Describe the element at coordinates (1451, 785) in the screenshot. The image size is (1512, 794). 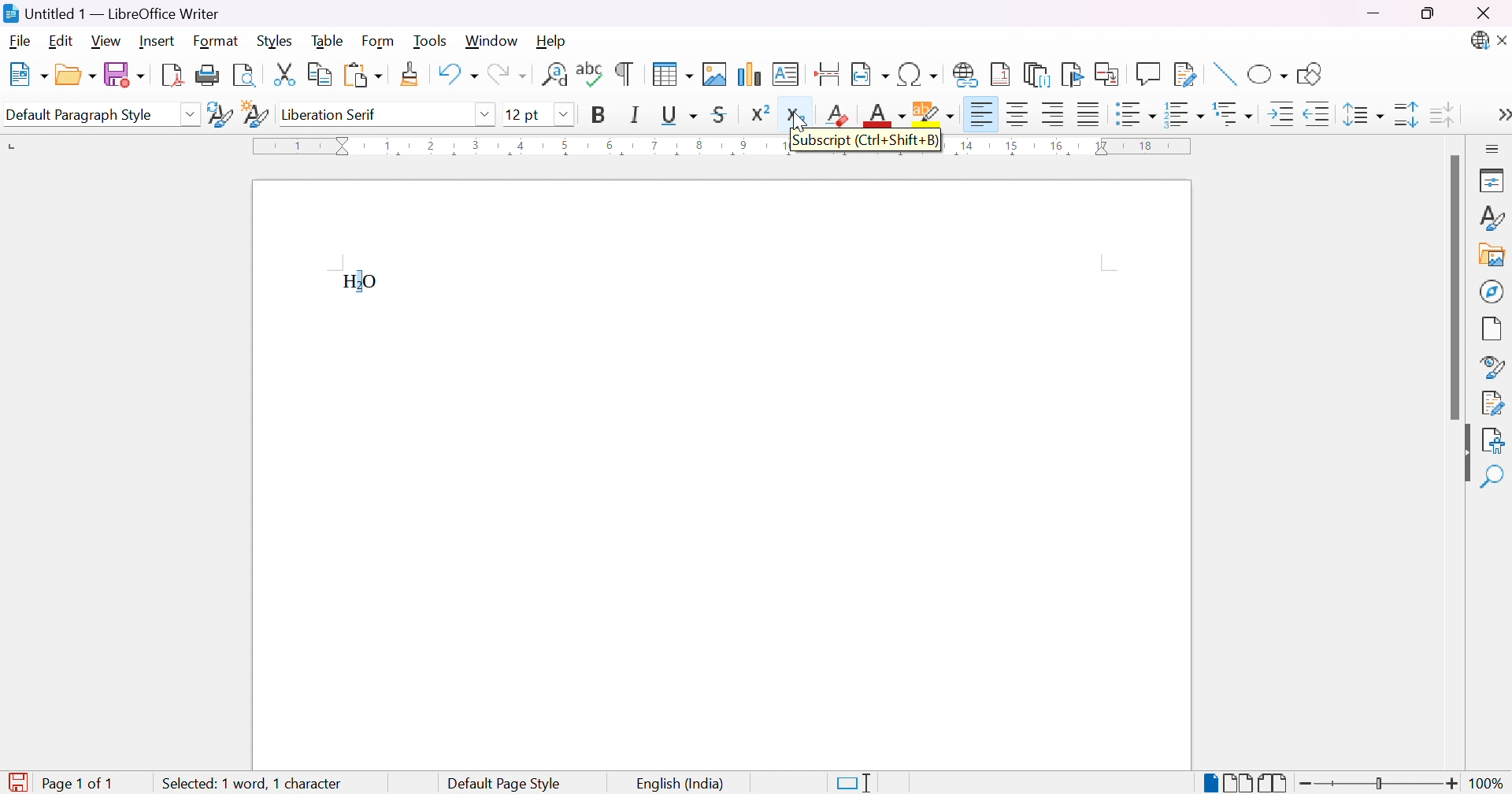
I see `Zoom in` at that location.